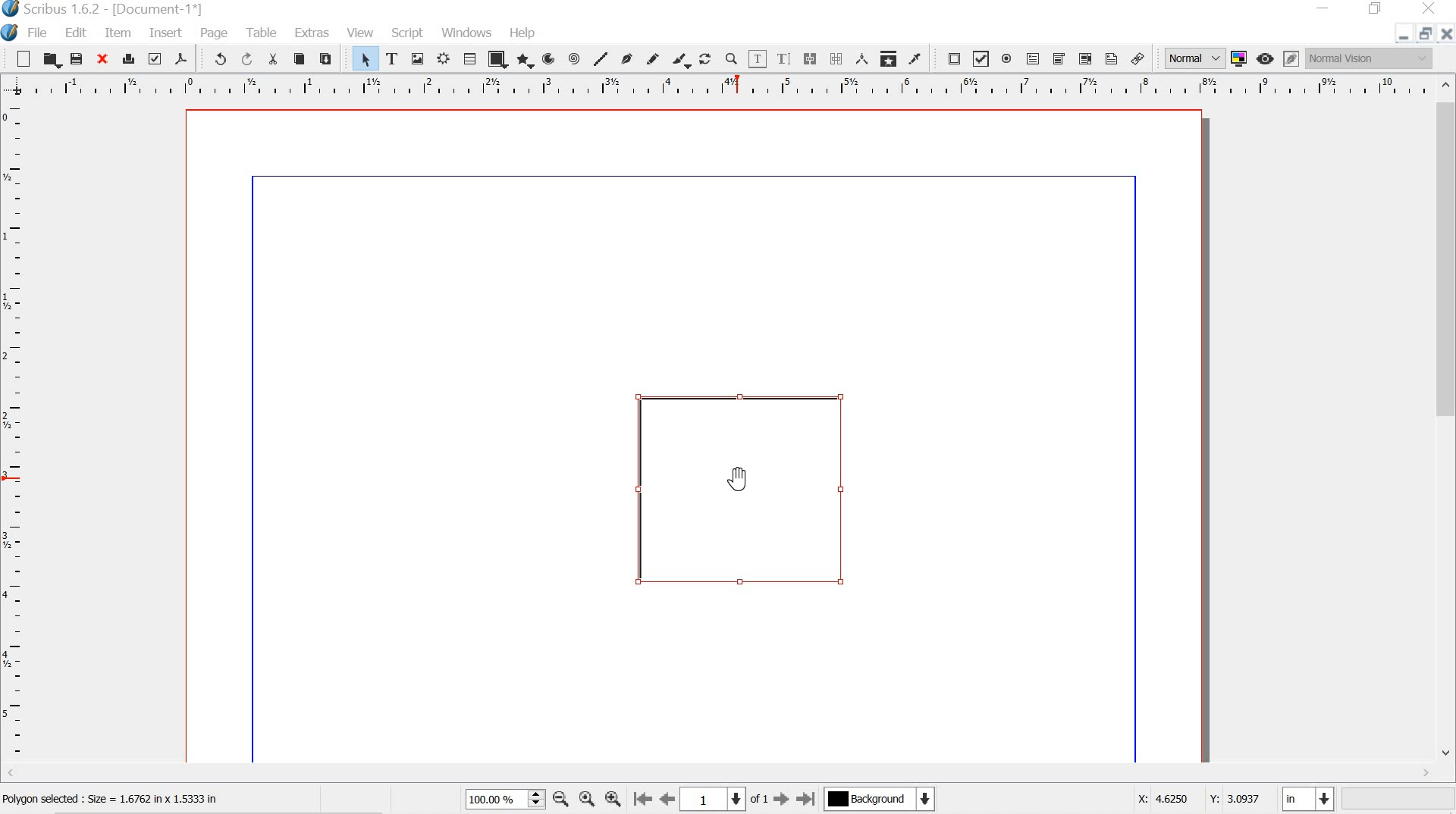 This screenshot has width=1456, height=814. I want to click on paste, so click(328, 57).